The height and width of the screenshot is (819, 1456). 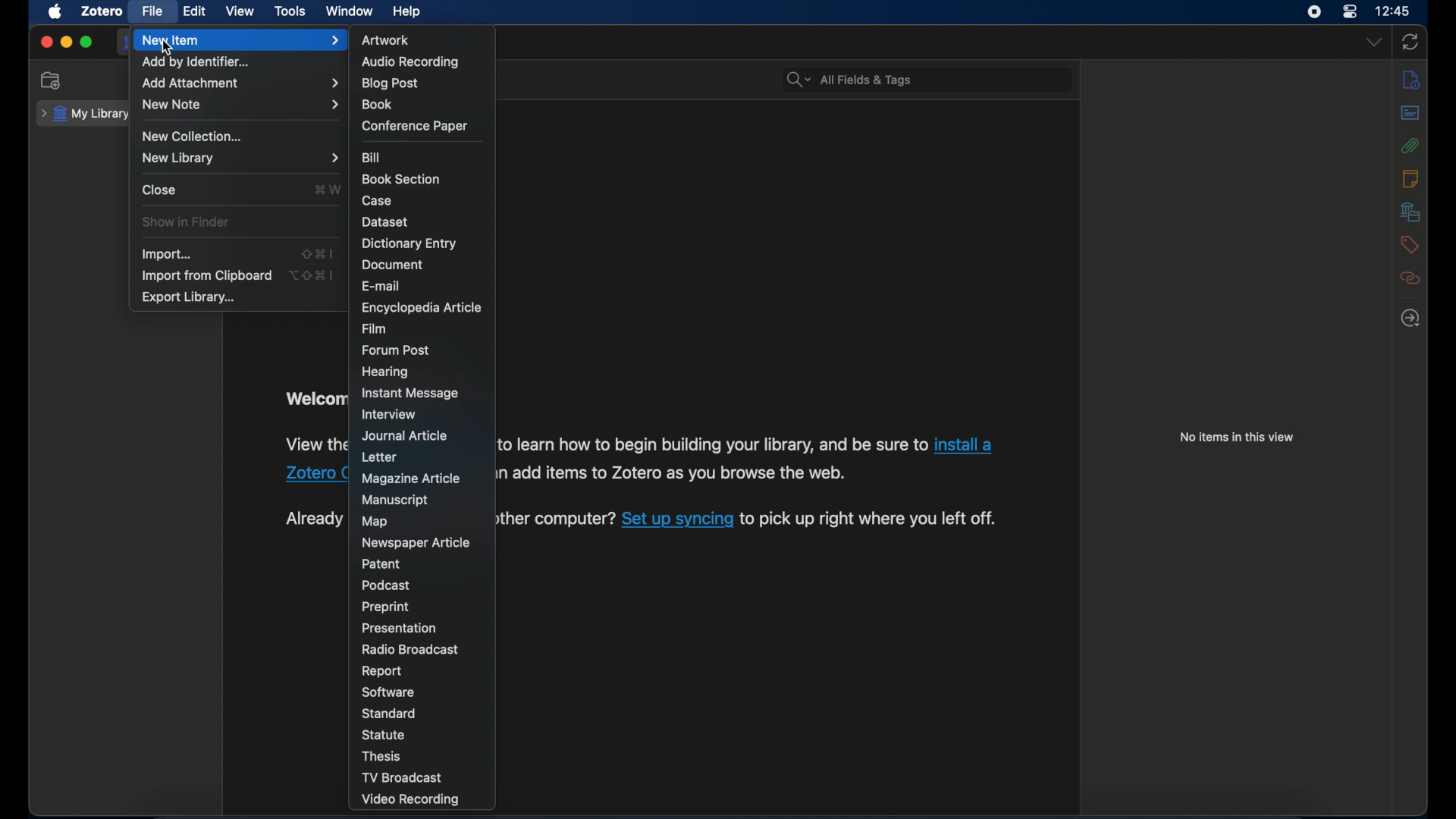 What do you see at coordinates (382, 563) in the screenshot?
I see `patent` at bounding box center [382, 563].